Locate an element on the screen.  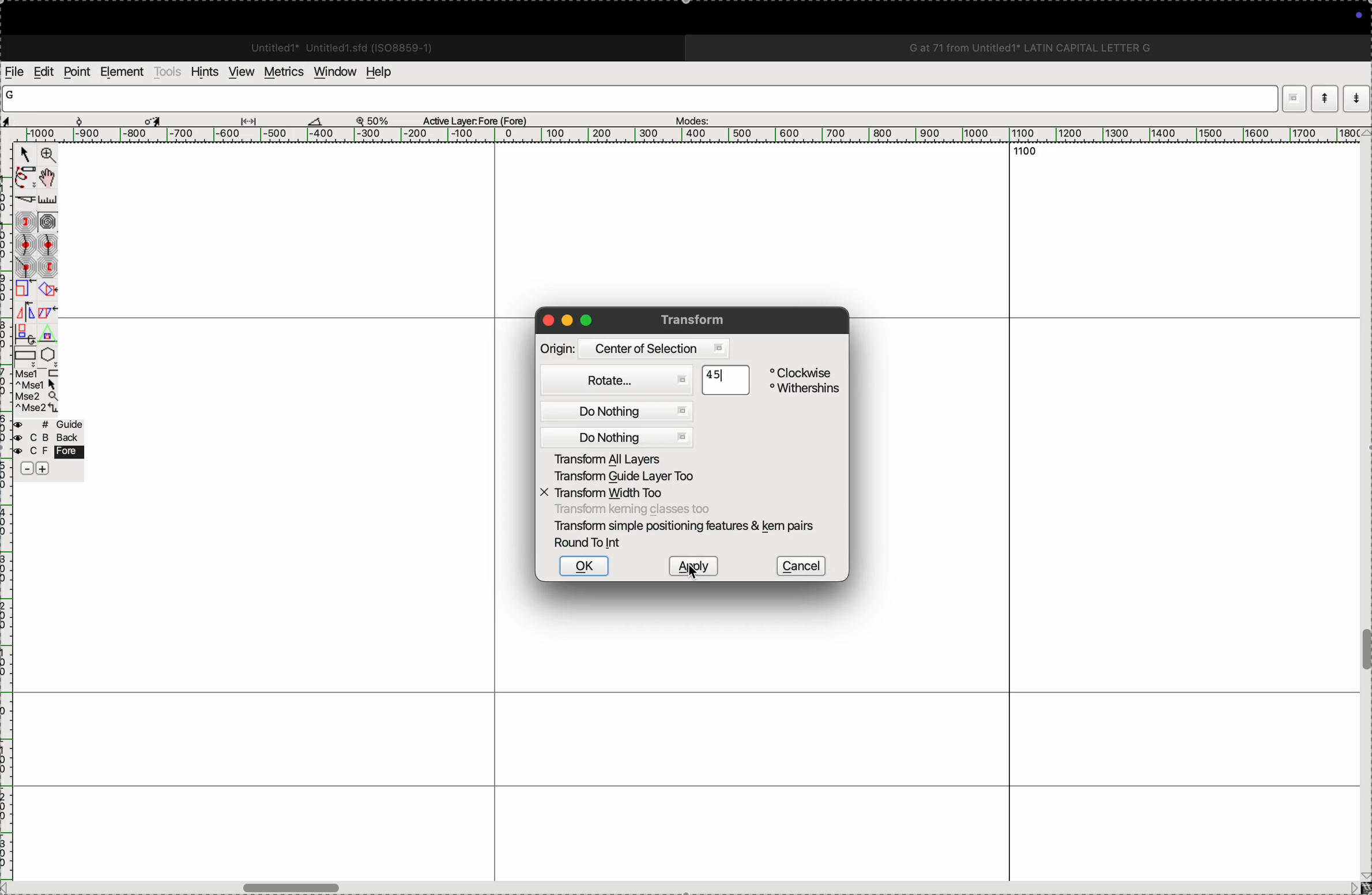
previous constraint point is located at coordinates (48, 267).